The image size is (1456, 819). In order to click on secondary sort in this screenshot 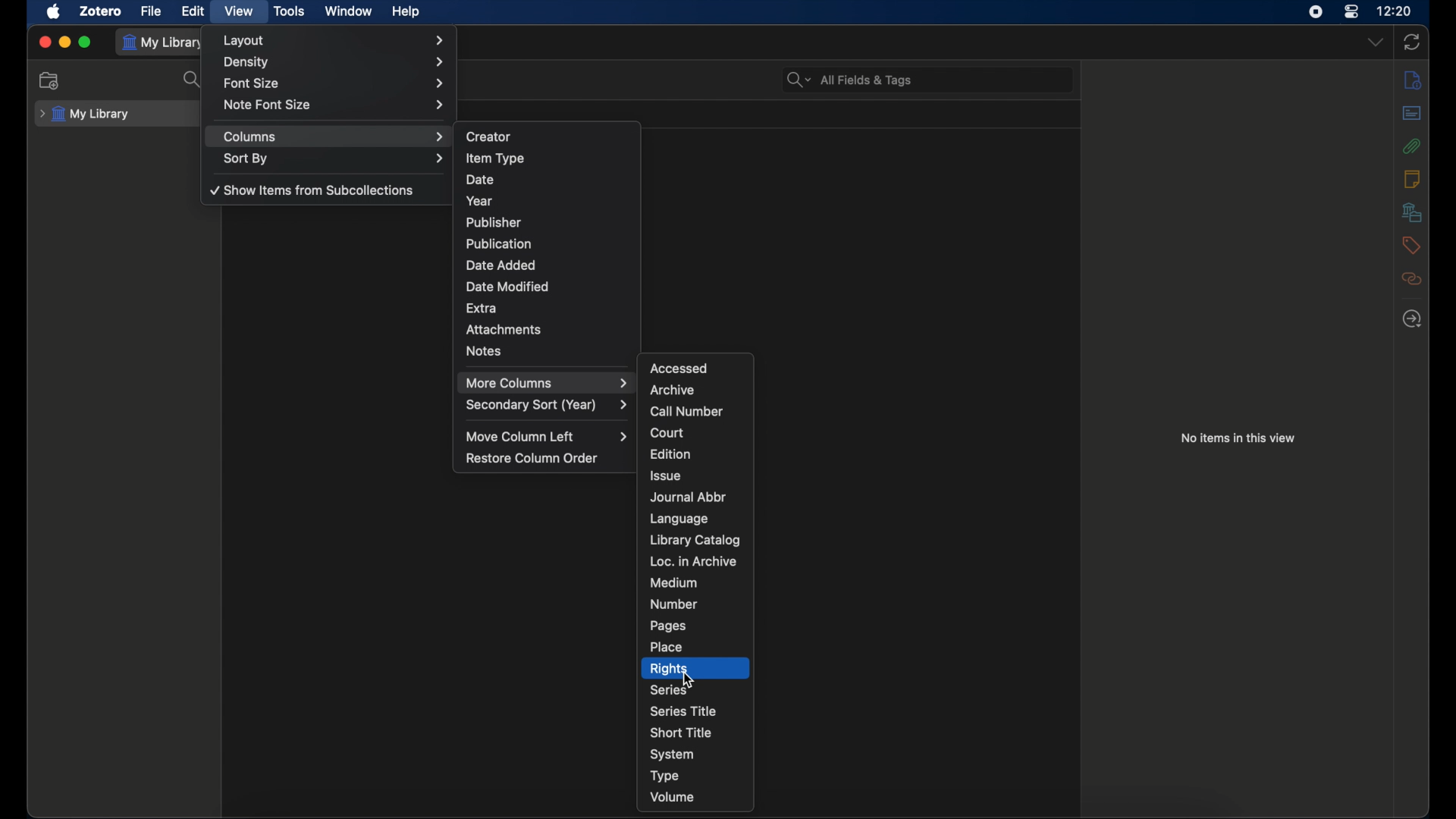, I will do `click(547, 405)`.